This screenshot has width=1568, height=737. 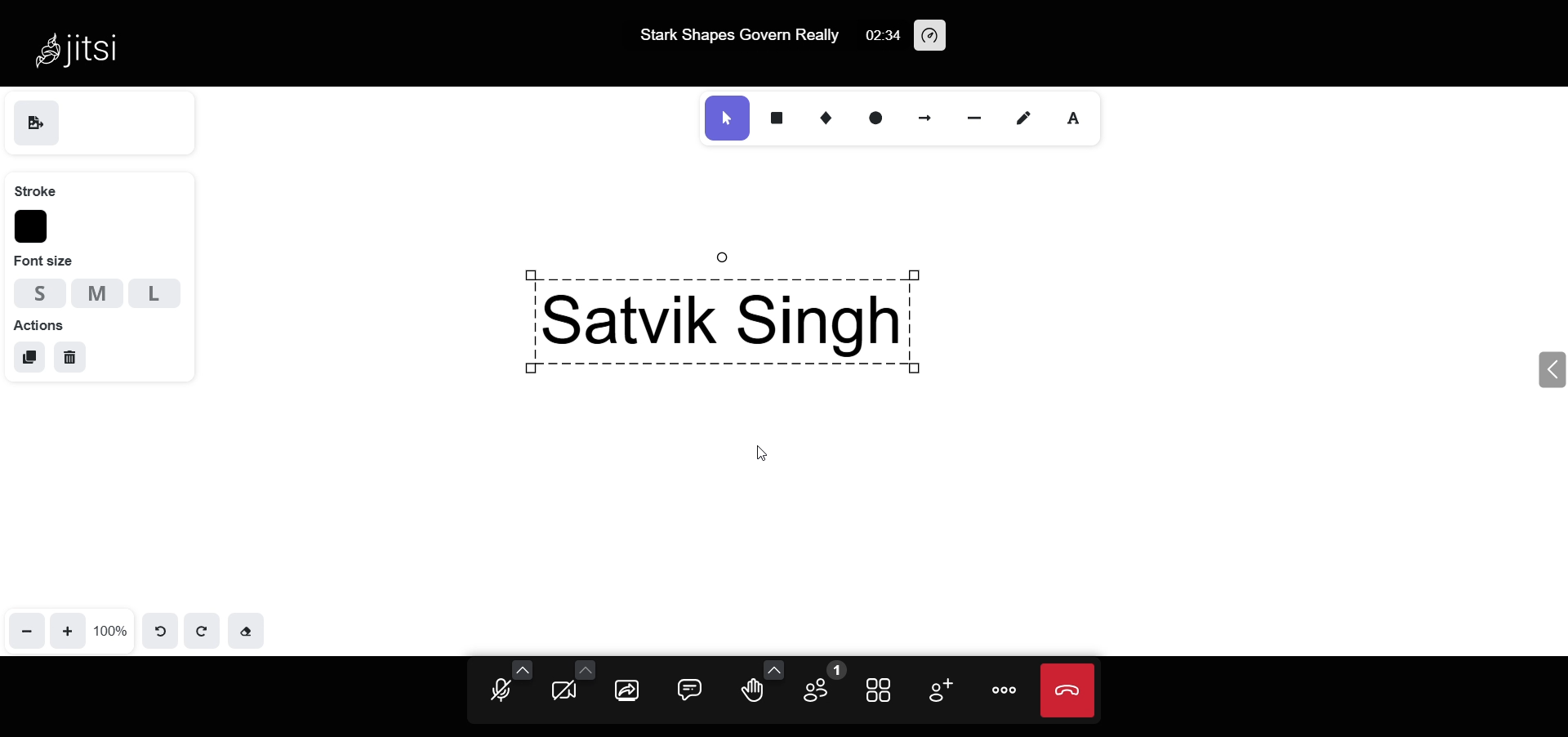 What do you see at coordinates (771, 669) in the screenshot?
I see `more emoji` at bounding box center [771, 669].